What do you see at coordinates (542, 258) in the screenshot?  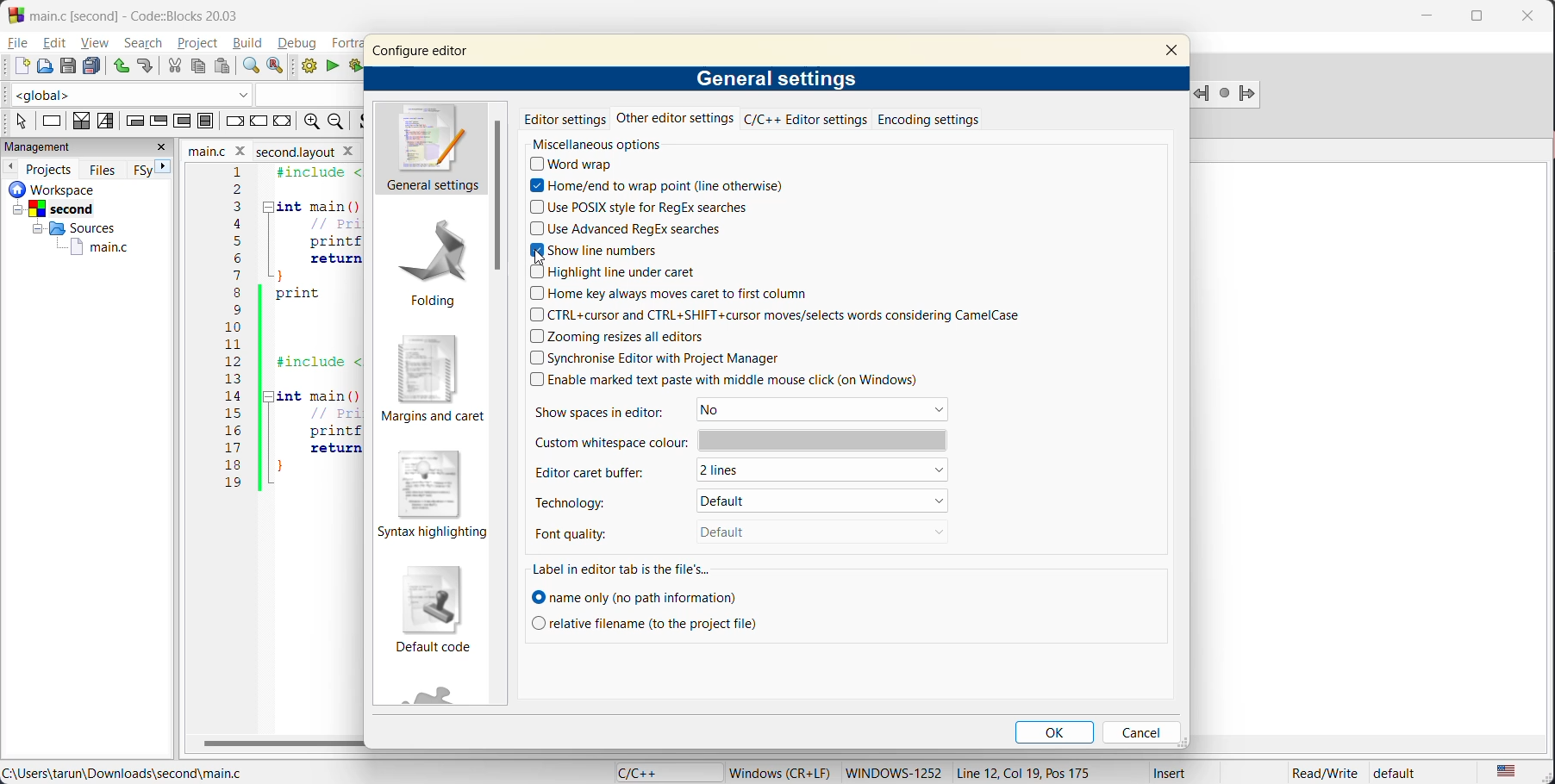 I see `cursor` at bounding box center [542, 258].